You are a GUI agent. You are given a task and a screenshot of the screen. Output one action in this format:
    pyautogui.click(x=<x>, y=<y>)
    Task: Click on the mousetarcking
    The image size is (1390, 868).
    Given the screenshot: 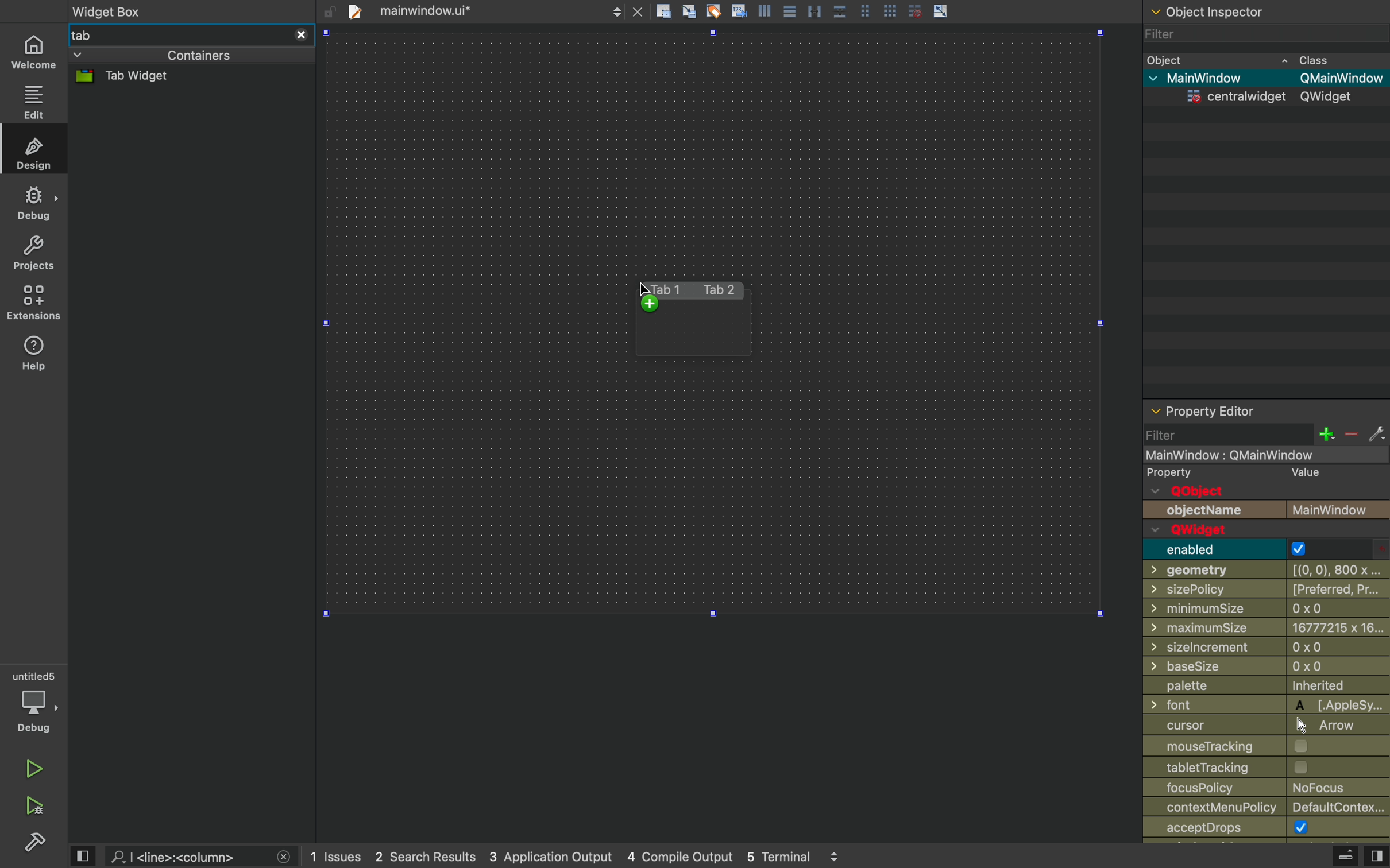 What is the action you would take?
    pyautogui.click(x=1261, y=747)
    